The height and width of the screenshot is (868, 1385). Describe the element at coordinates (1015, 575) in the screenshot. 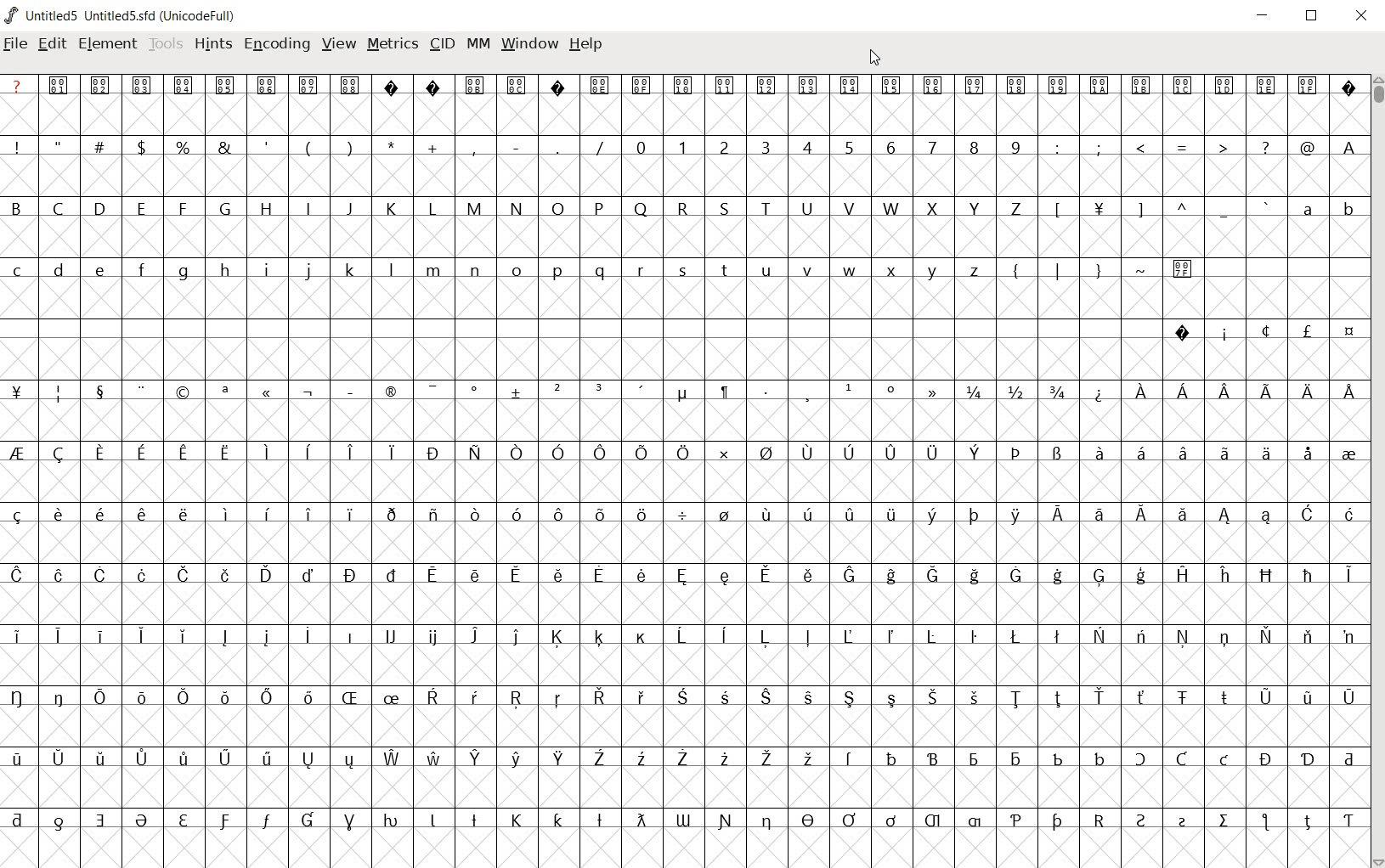

I see `Symbol` at that location.